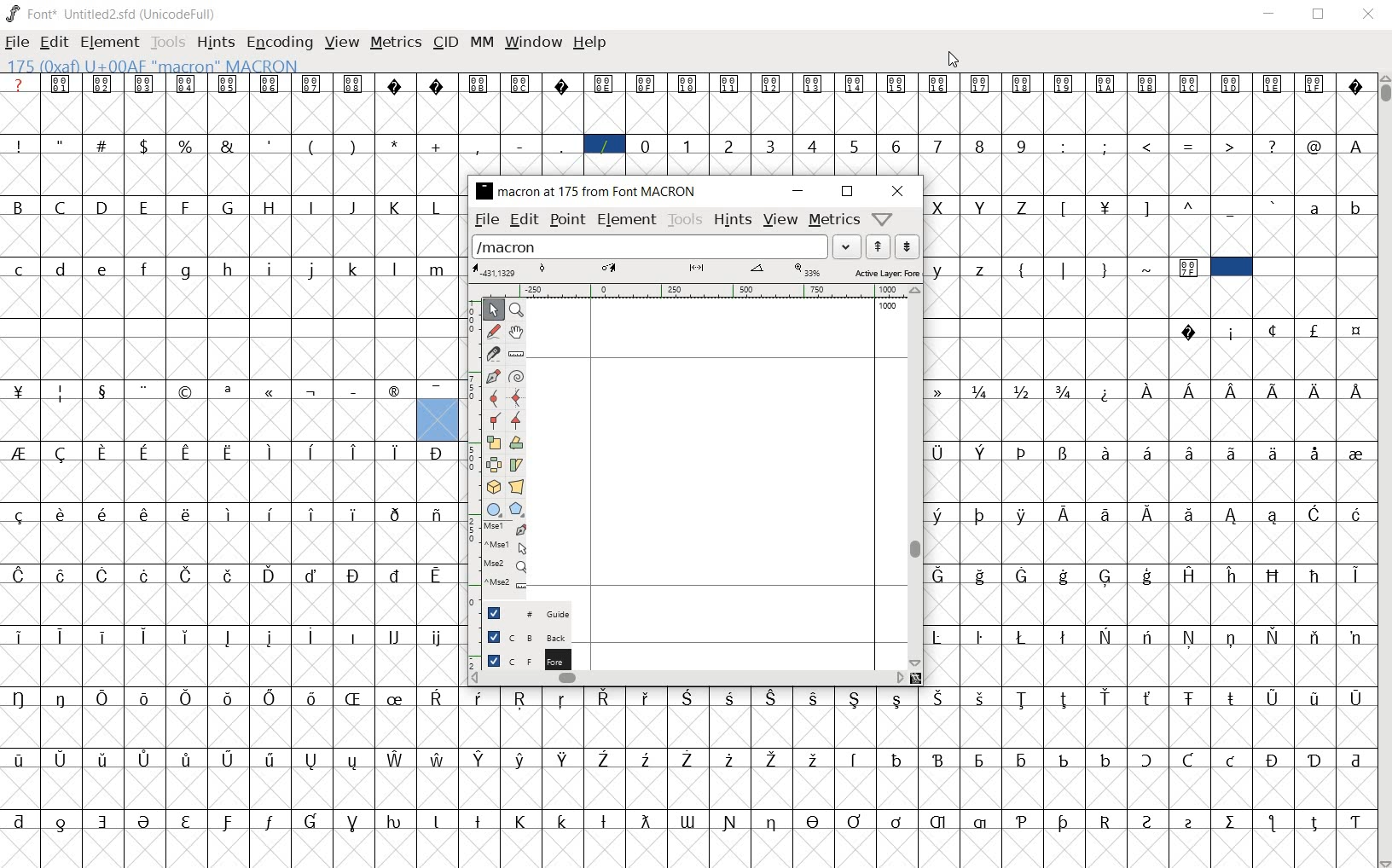 This screenshot has height=868, width=1392. Describe the element at coordinates (510, 567) in the screenshot. I see `Mouse wheel button` at that location.